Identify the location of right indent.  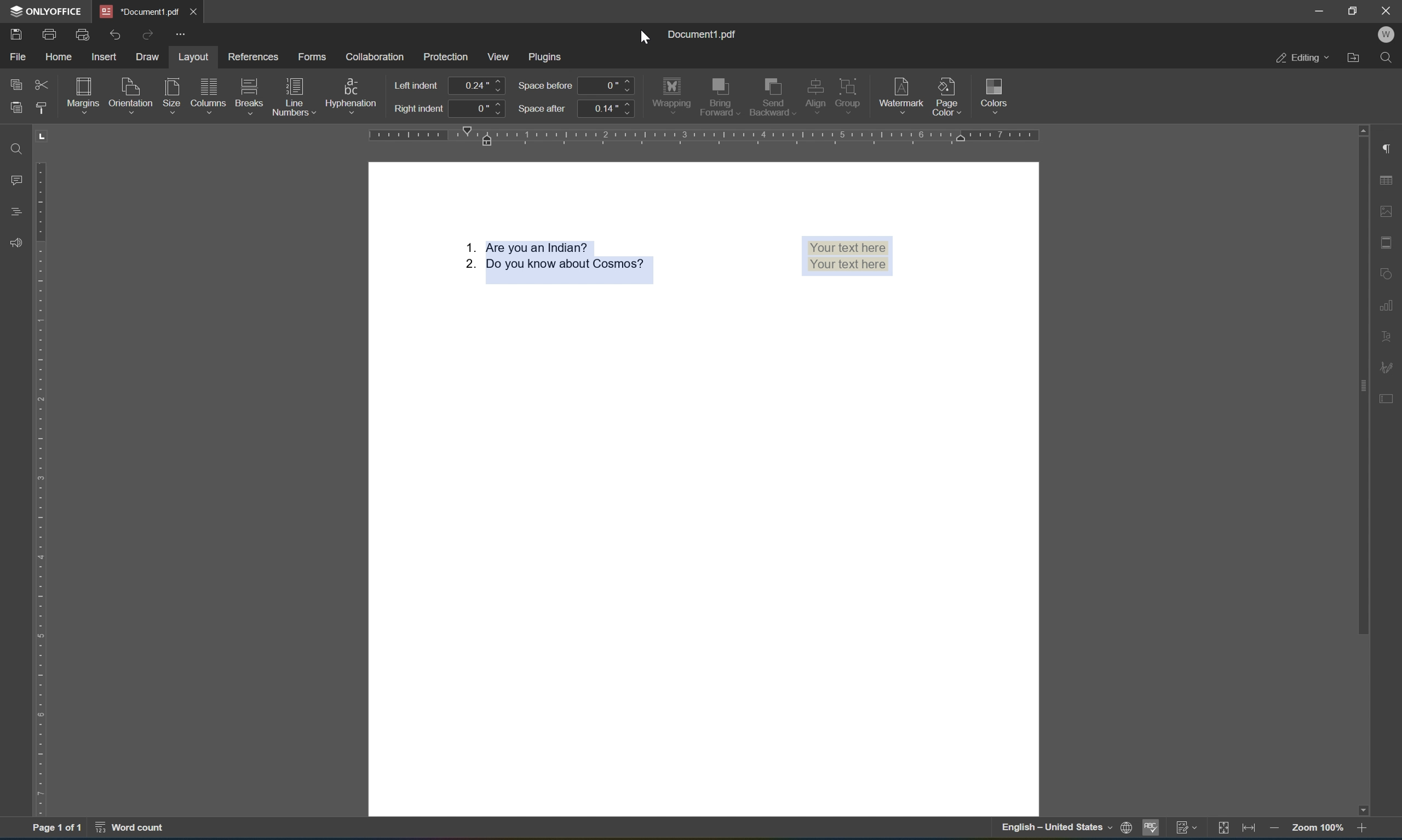
(420, 109).